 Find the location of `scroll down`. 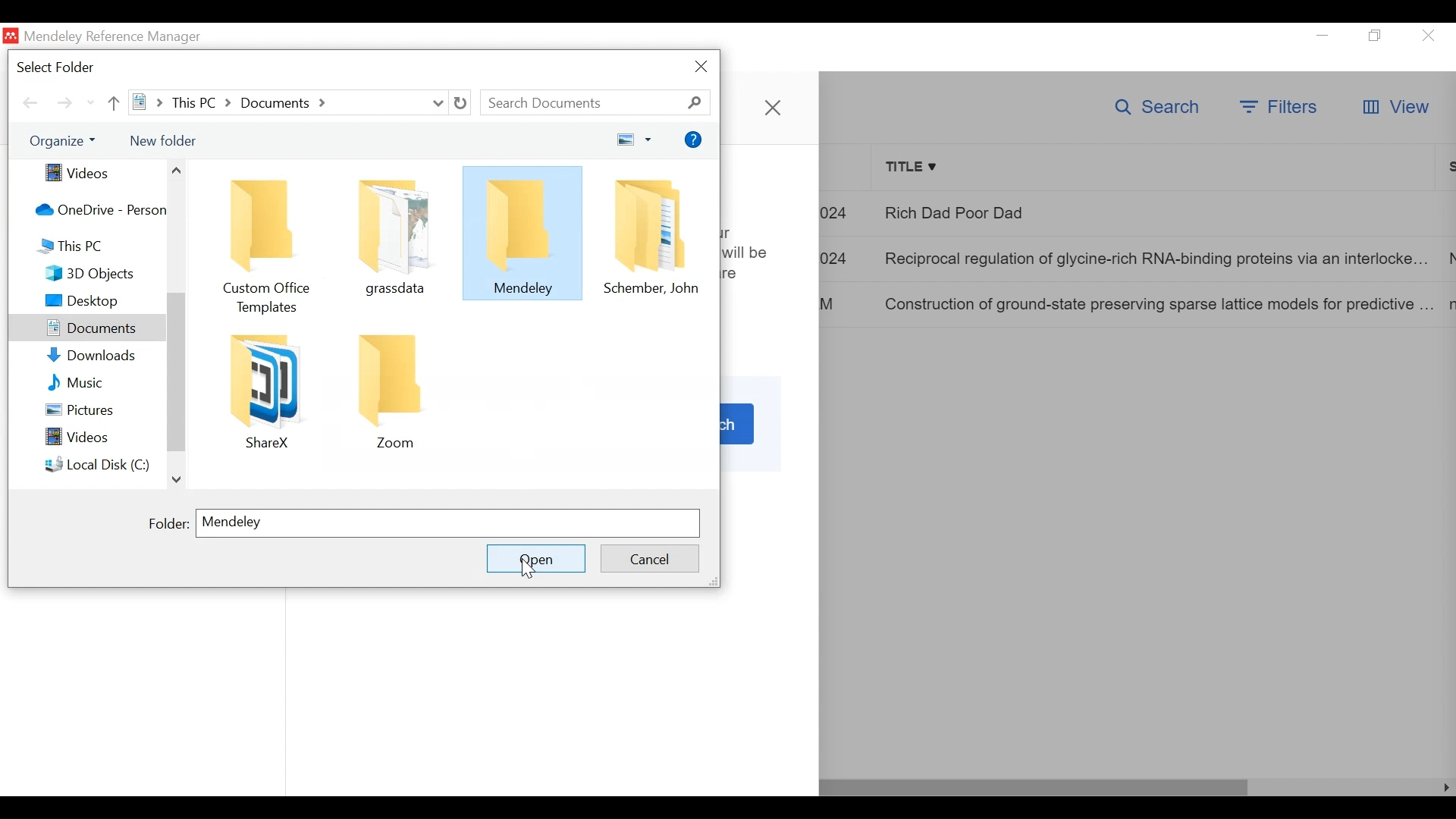

scroll down is located at coordinates (91, 104).